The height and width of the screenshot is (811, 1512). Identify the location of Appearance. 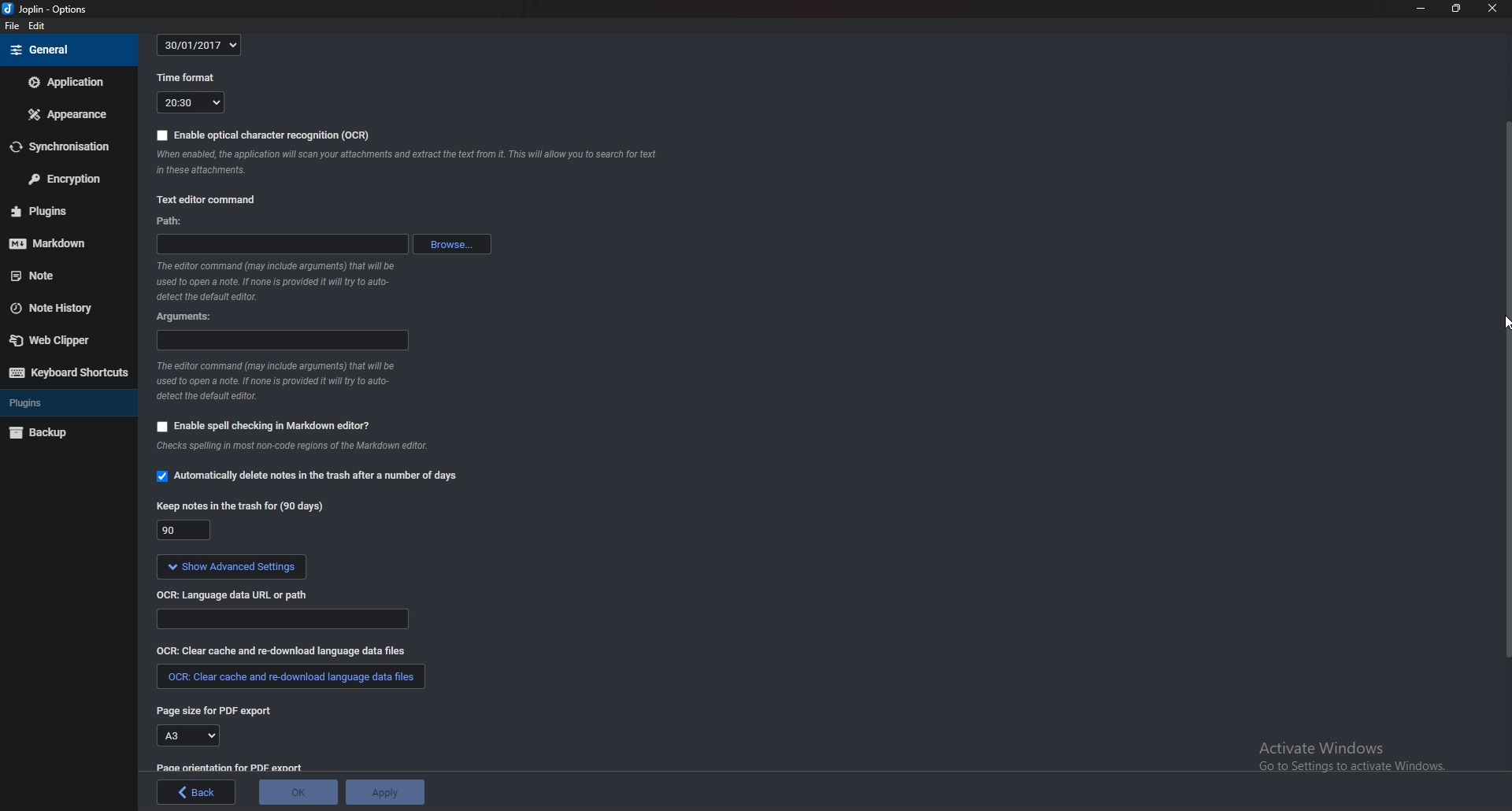
(65, 116).